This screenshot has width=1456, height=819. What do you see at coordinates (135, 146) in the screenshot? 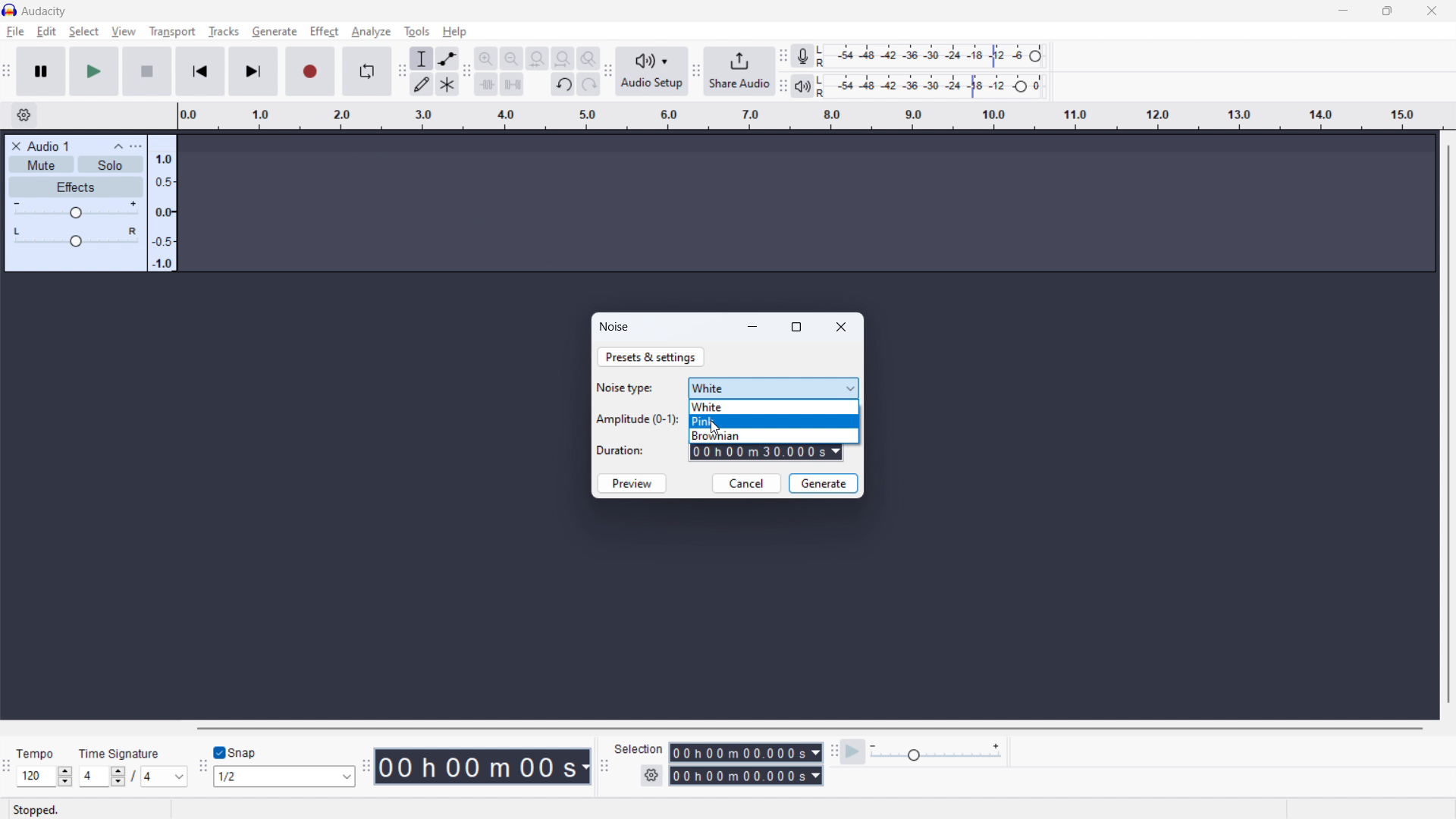
I see `options` at bounding box center [135, 146].